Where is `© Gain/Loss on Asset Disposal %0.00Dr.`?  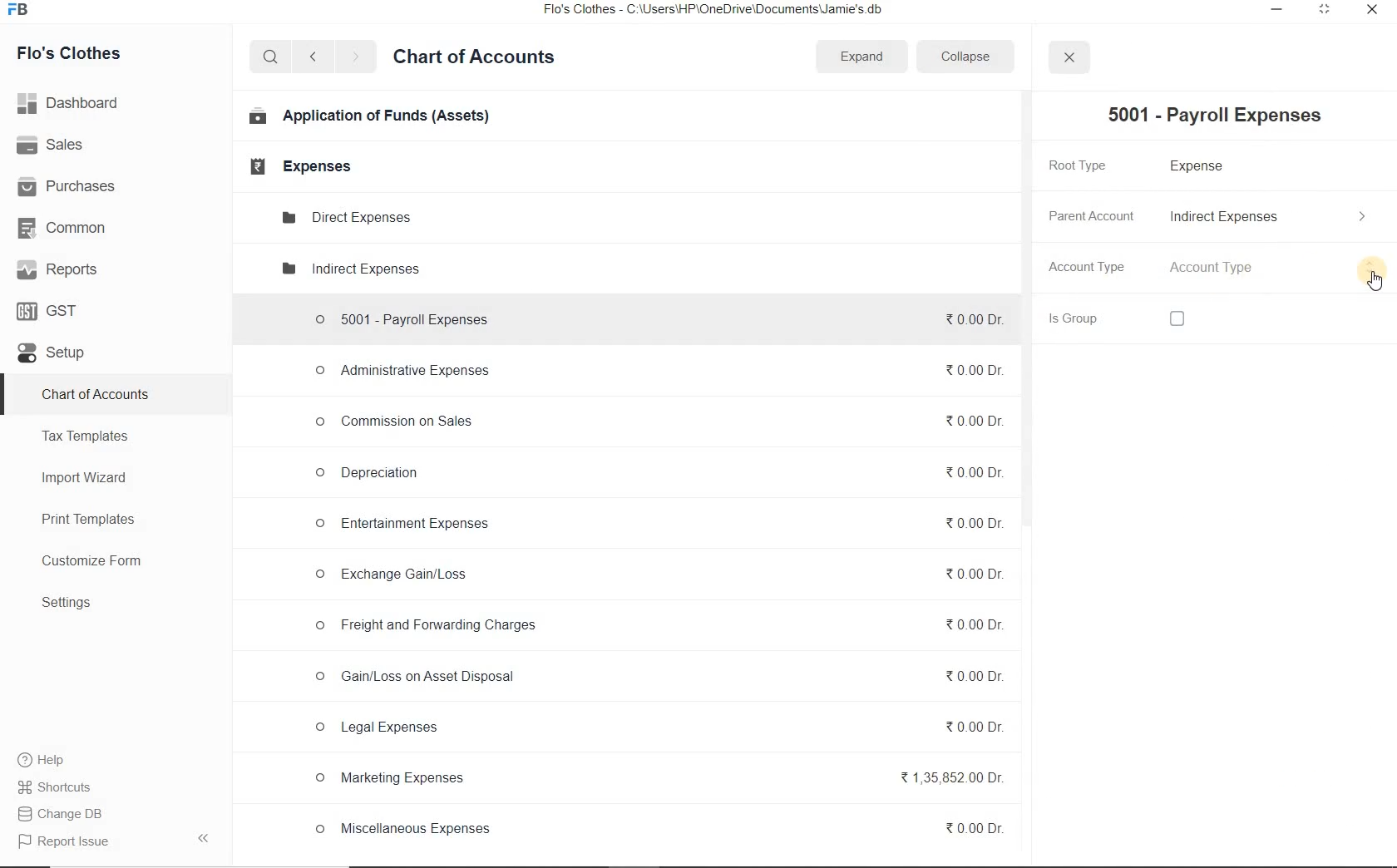
© Gain/Loss on Asset Disposal %0.00Dr. is located at coordinates (656, 679).